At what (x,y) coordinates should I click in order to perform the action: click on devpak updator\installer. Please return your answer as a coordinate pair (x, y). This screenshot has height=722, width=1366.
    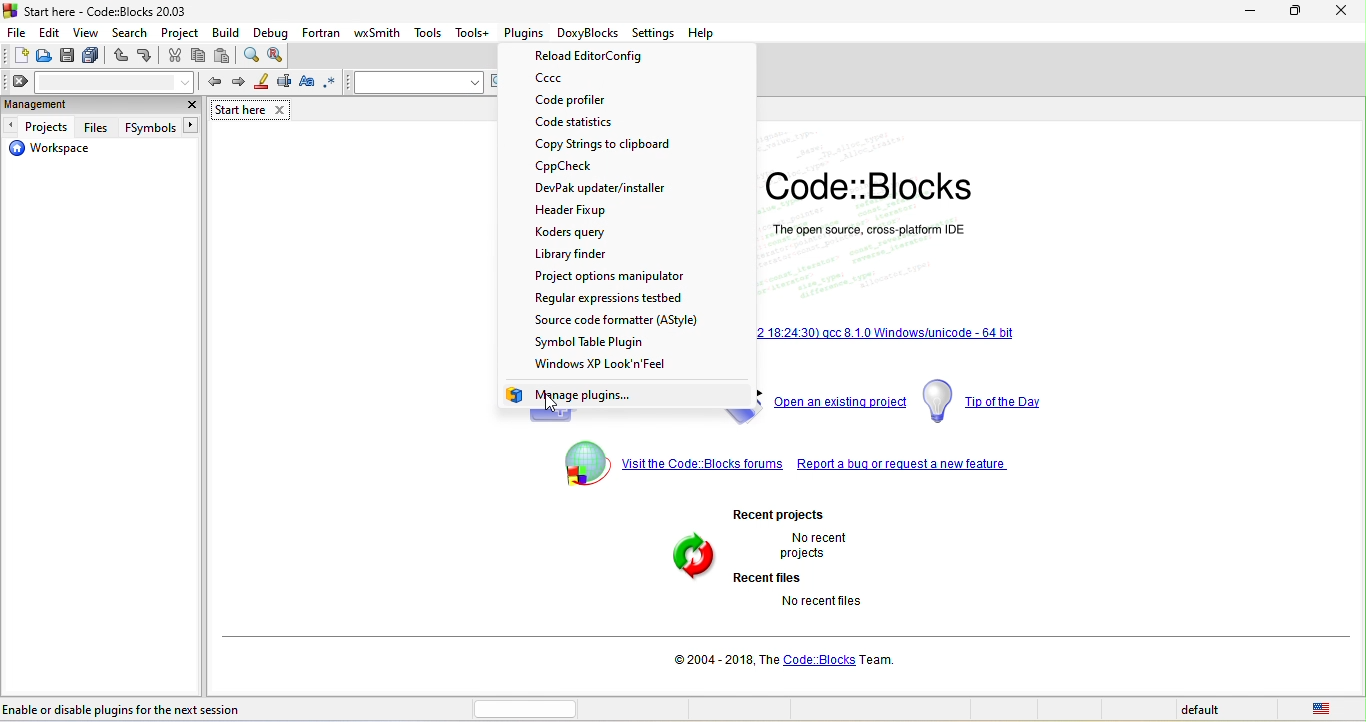
    Looking at the image, I should click on (607, 188).